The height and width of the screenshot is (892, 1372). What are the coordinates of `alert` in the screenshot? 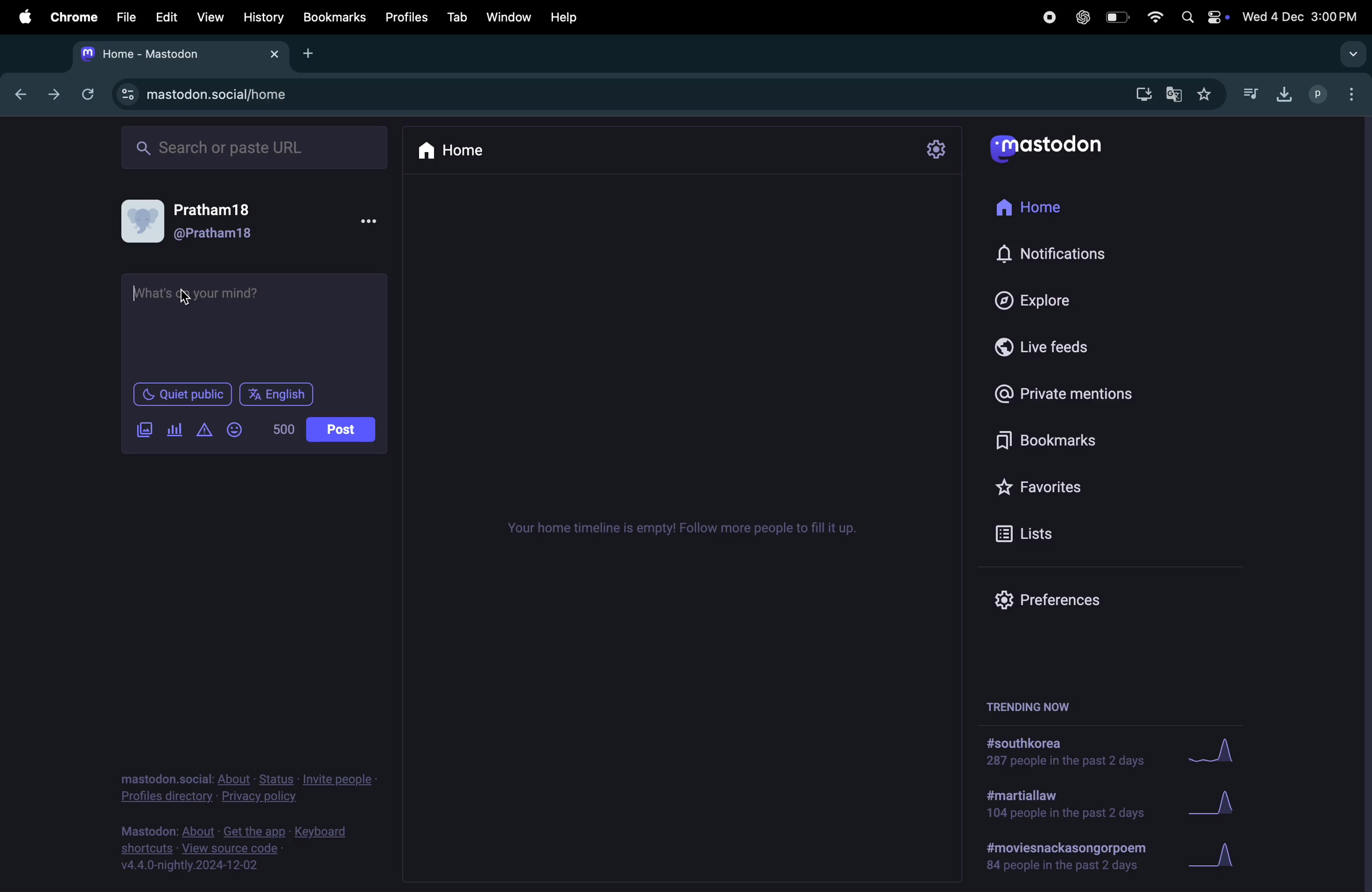 It's located at (203, 430).